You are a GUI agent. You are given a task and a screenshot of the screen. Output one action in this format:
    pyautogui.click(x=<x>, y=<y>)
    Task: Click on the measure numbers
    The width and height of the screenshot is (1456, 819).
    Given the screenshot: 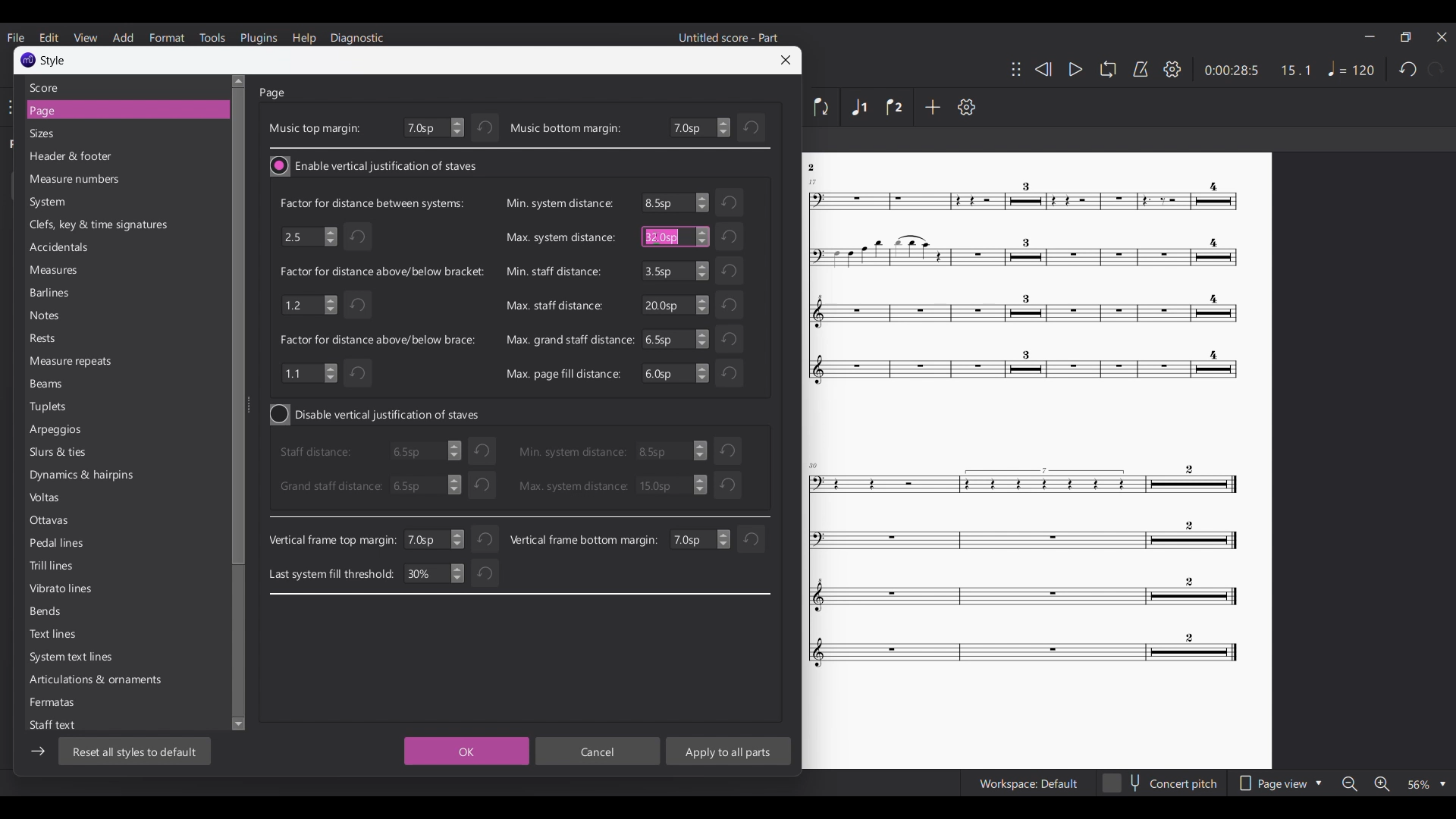 What is the action you would take?
    pyautogui.click(x=112, y=180)
    